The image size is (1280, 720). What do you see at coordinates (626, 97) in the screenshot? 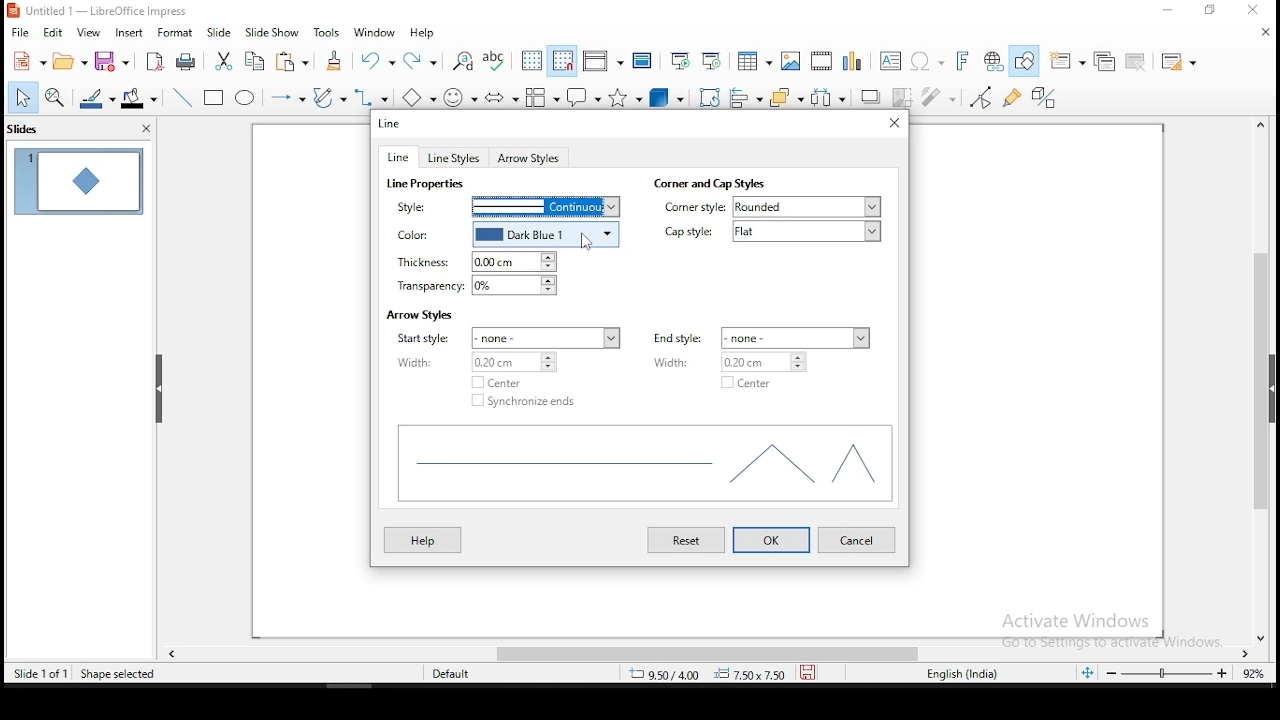
I see `stars and banners` at bounding box center [626, 97].